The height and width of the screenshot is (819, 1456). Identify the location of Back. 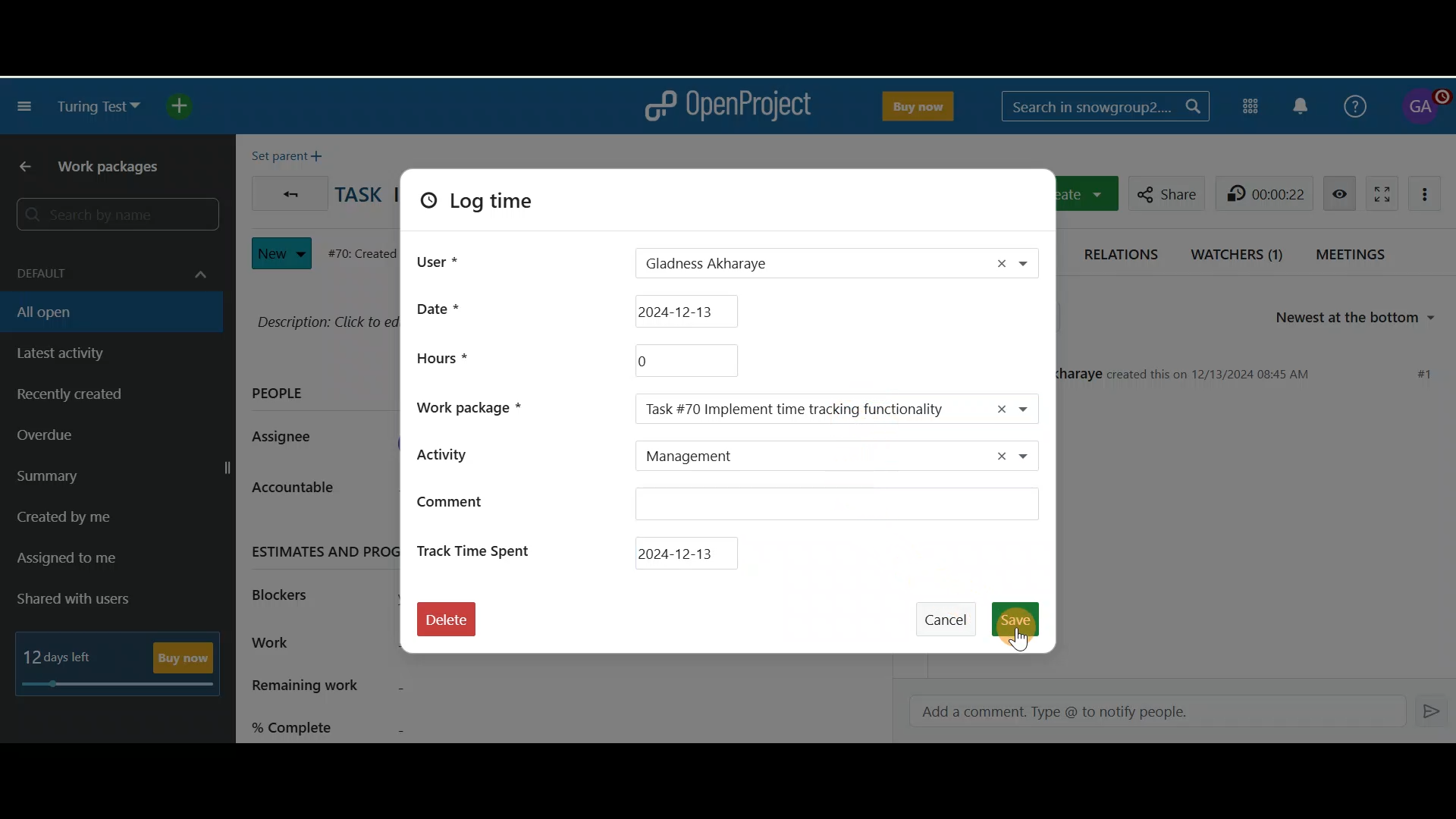
(286, 190).